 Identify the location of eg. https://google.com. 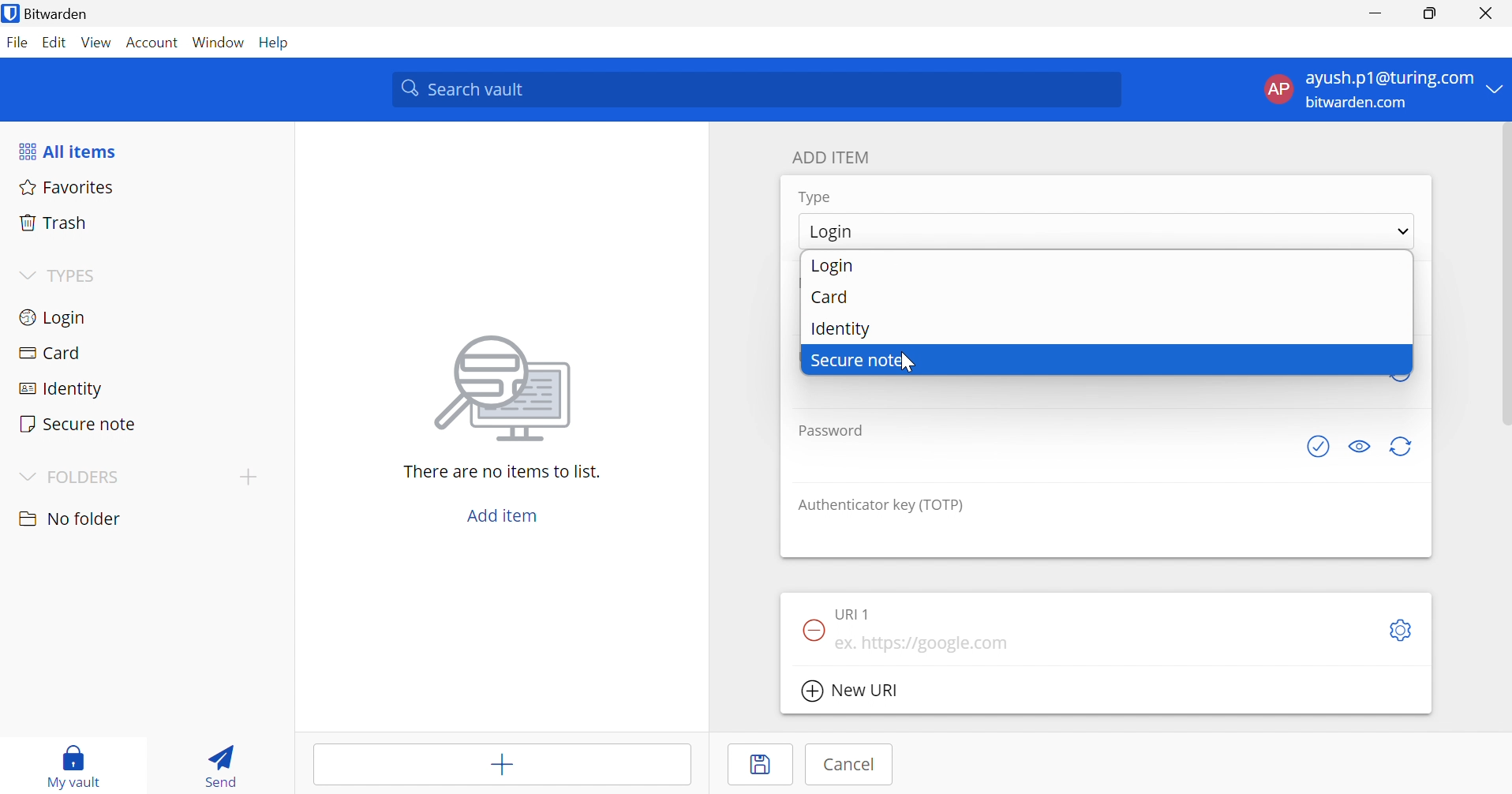
(927, 644).